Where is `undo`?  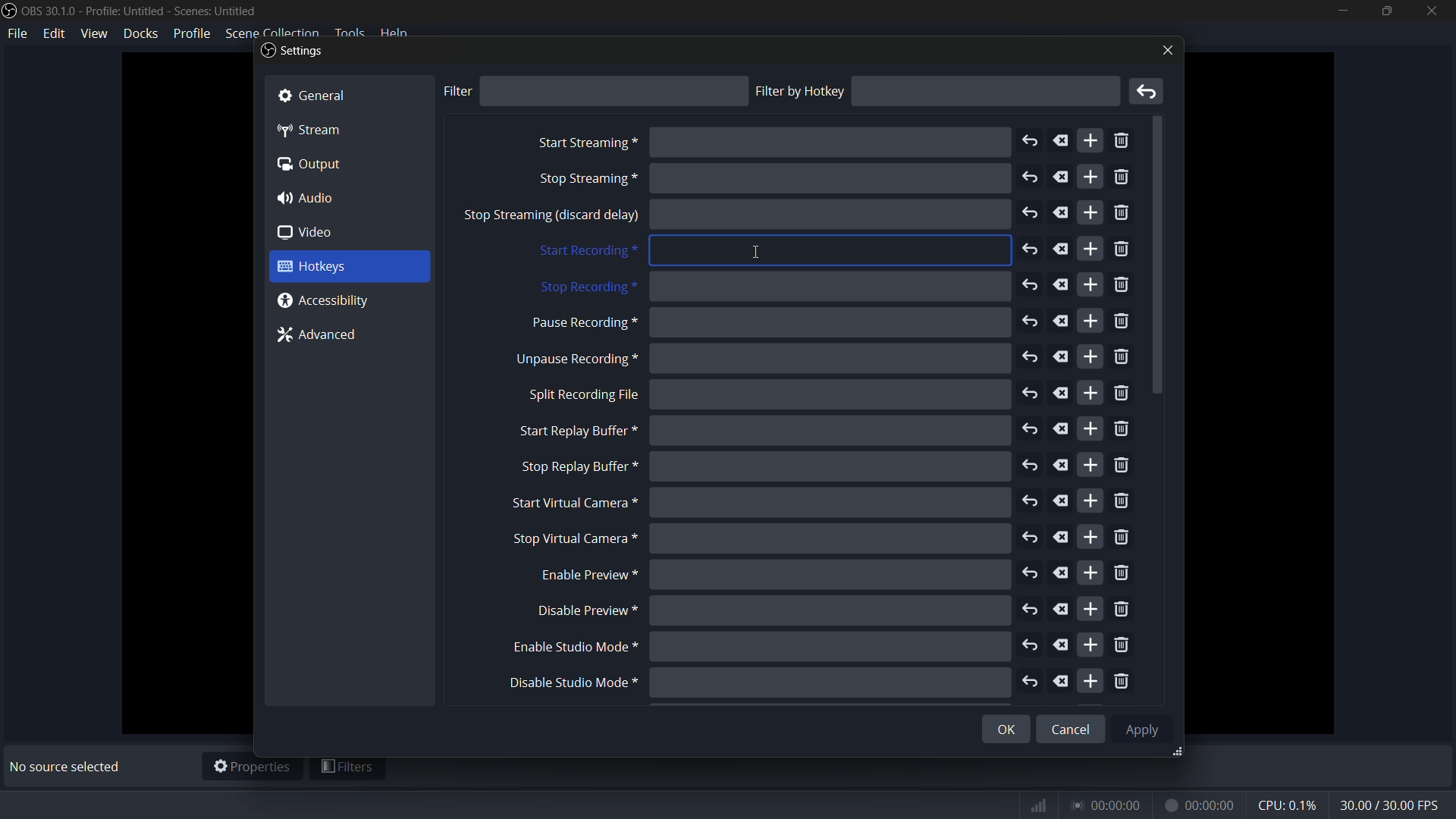 undo is located at coordinates (1030, 214).